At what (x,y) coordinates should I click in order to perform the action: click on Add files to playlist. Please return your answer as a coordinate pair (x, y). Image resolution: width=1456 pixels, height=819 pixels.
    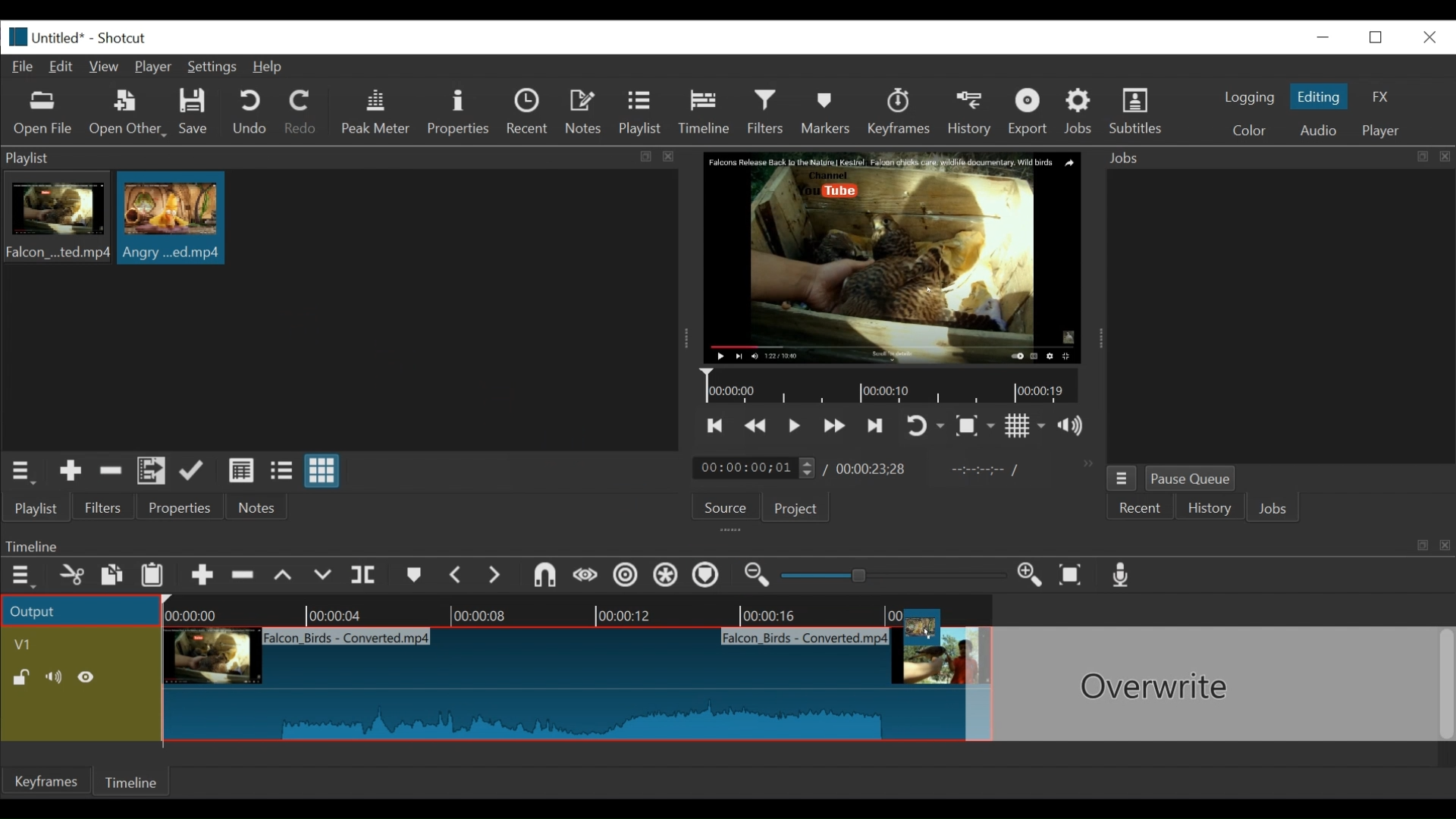
    Looking at the image, I should click on (152, 473).